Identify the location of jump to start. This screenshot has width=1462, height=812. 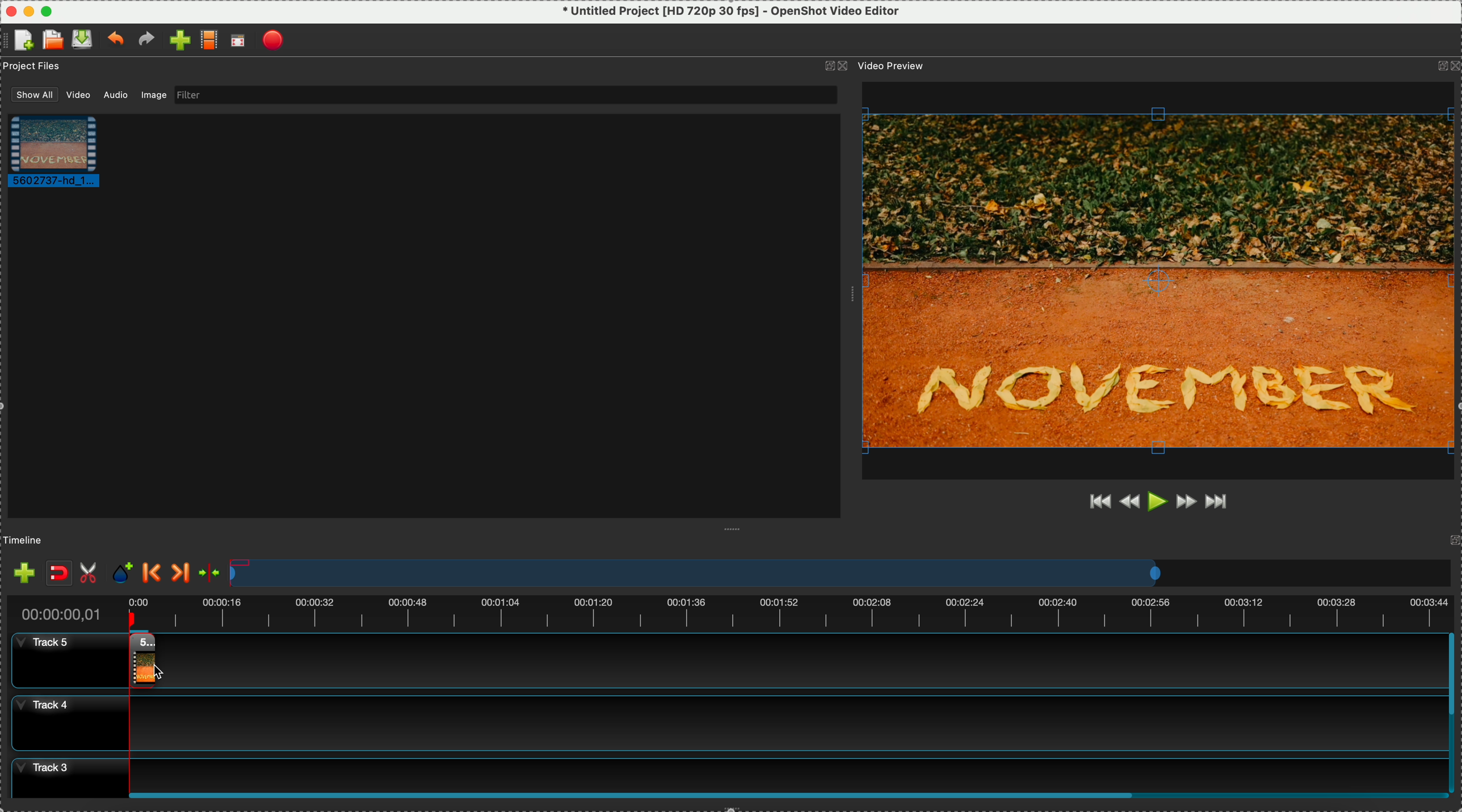
(1098, 500).